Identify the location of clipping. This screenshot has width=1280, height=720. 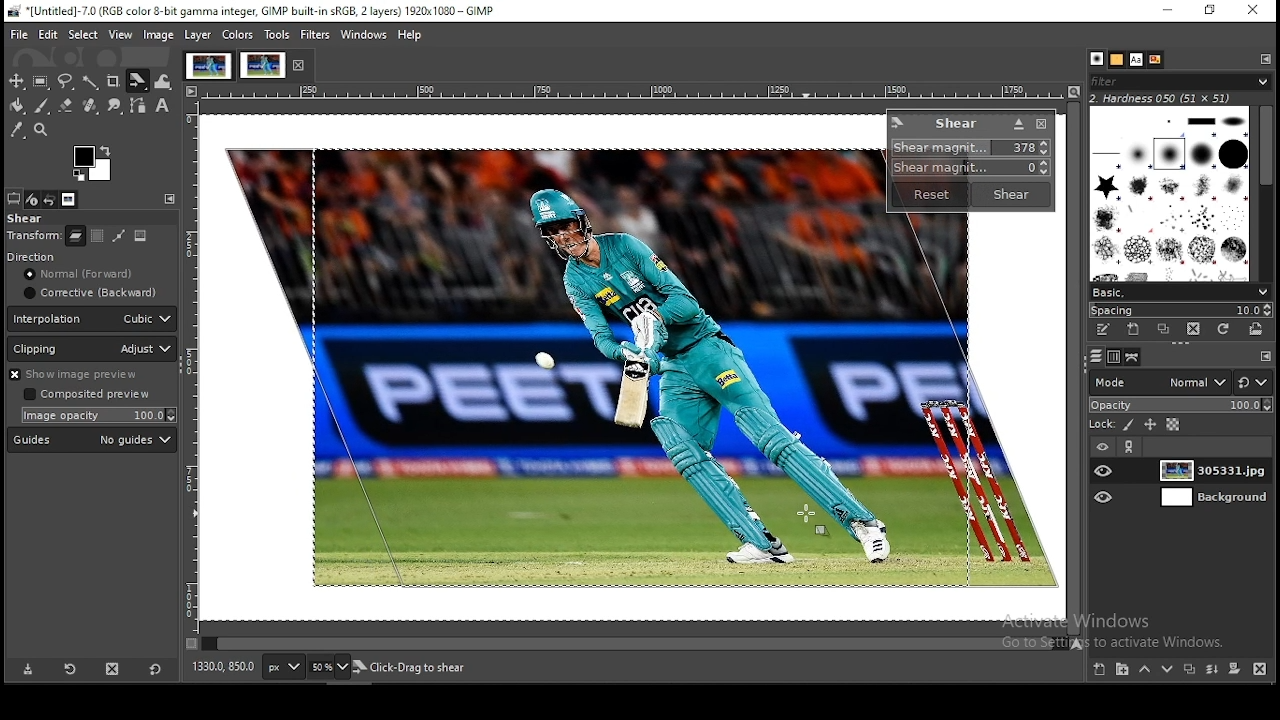
(92, 349).